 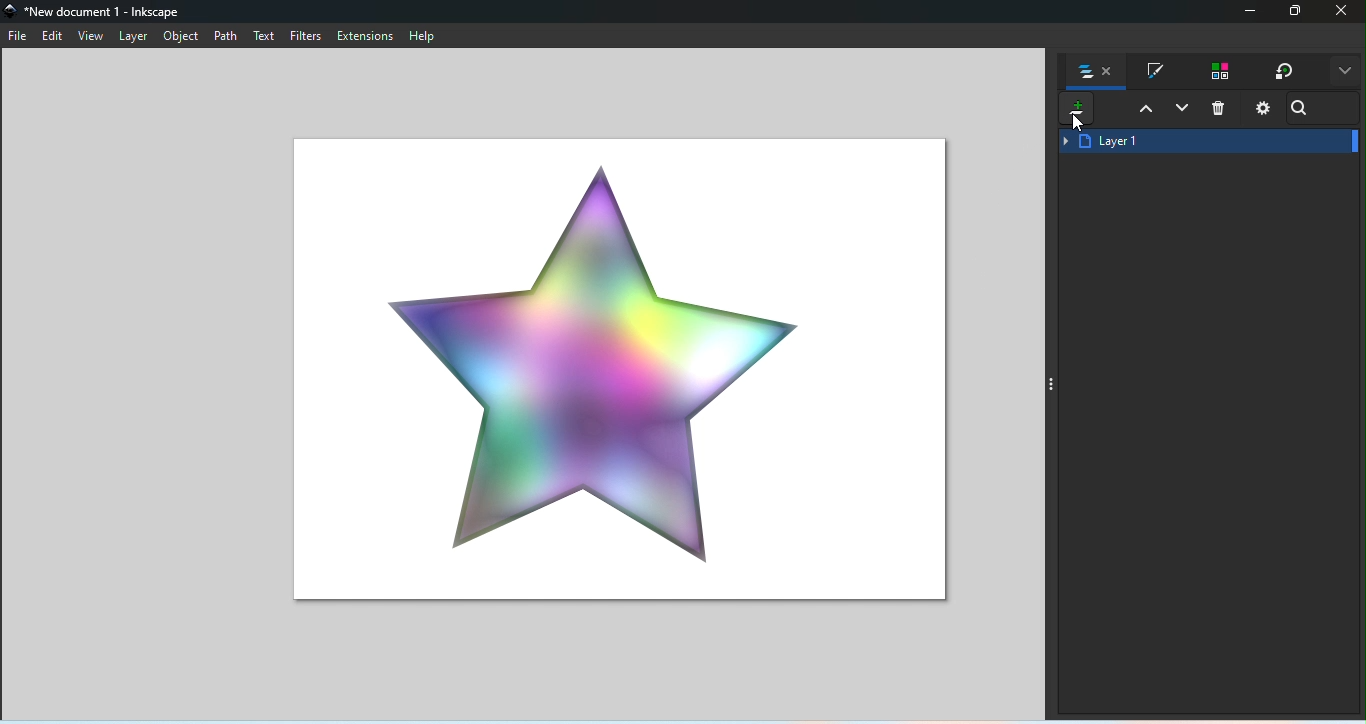 I want to click on Text, so click(x=266, y=37).